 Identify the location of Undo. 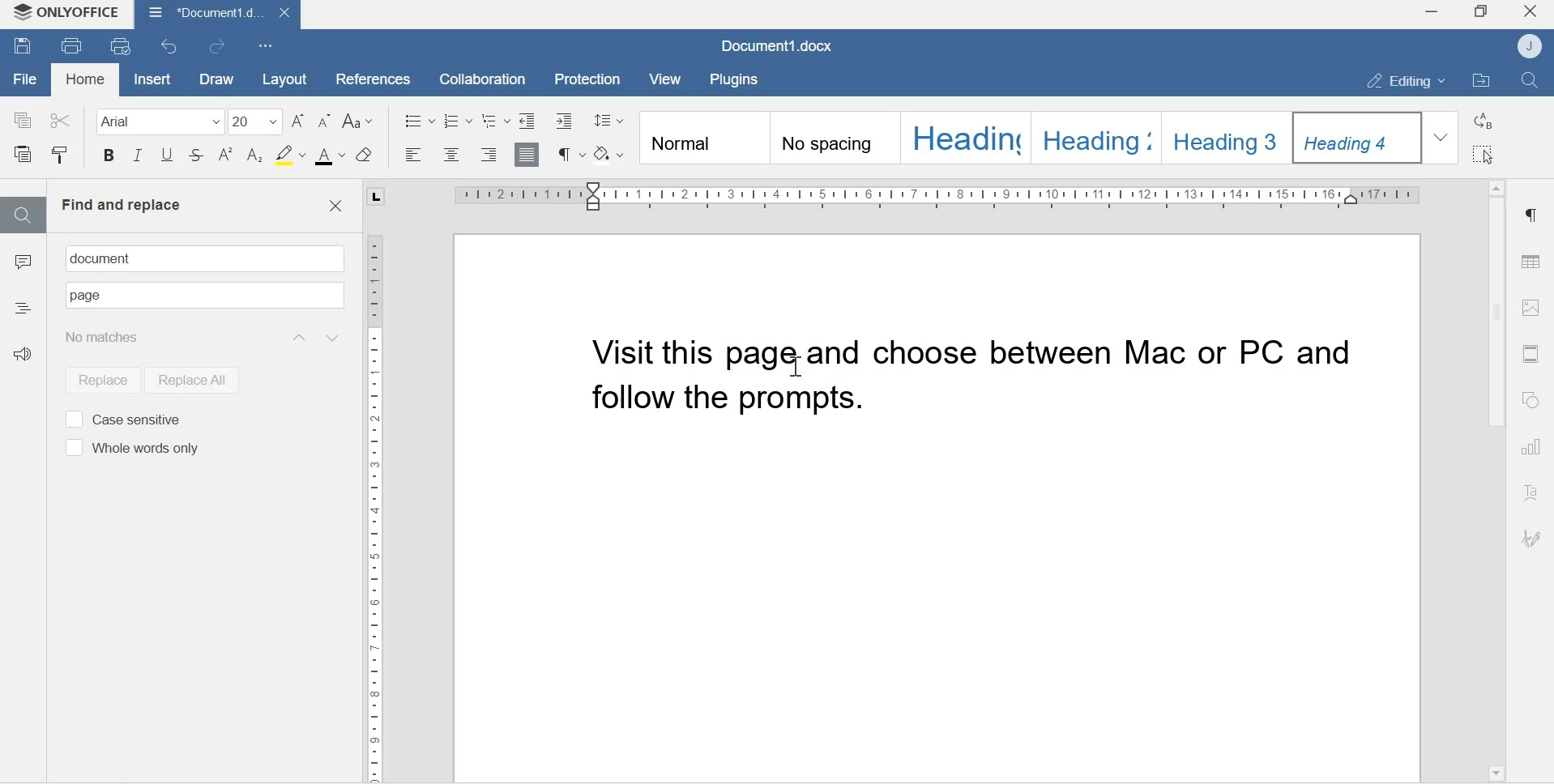
(172, 46).